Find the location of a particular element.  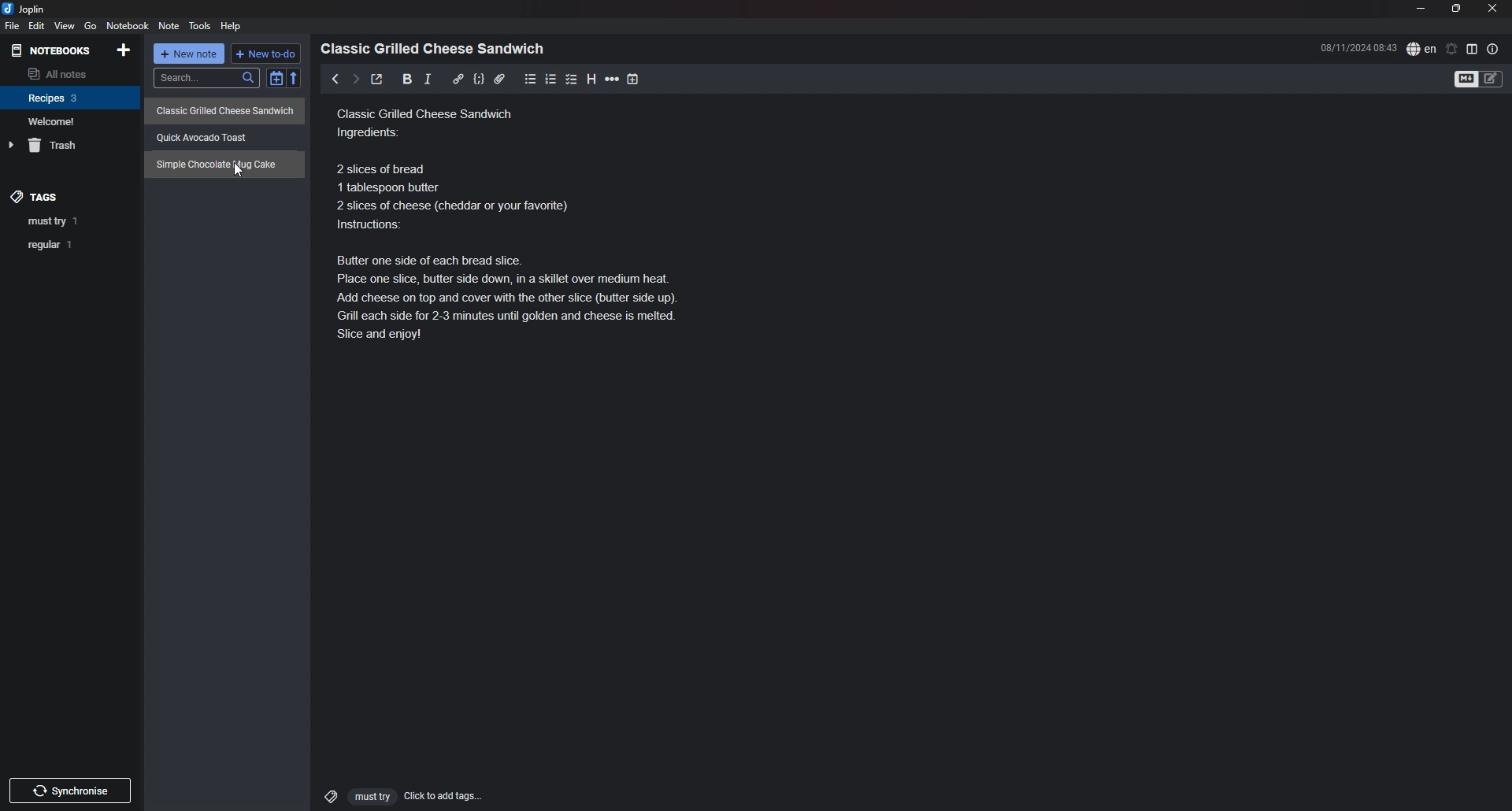

new note is located at coordinates (191, 55).